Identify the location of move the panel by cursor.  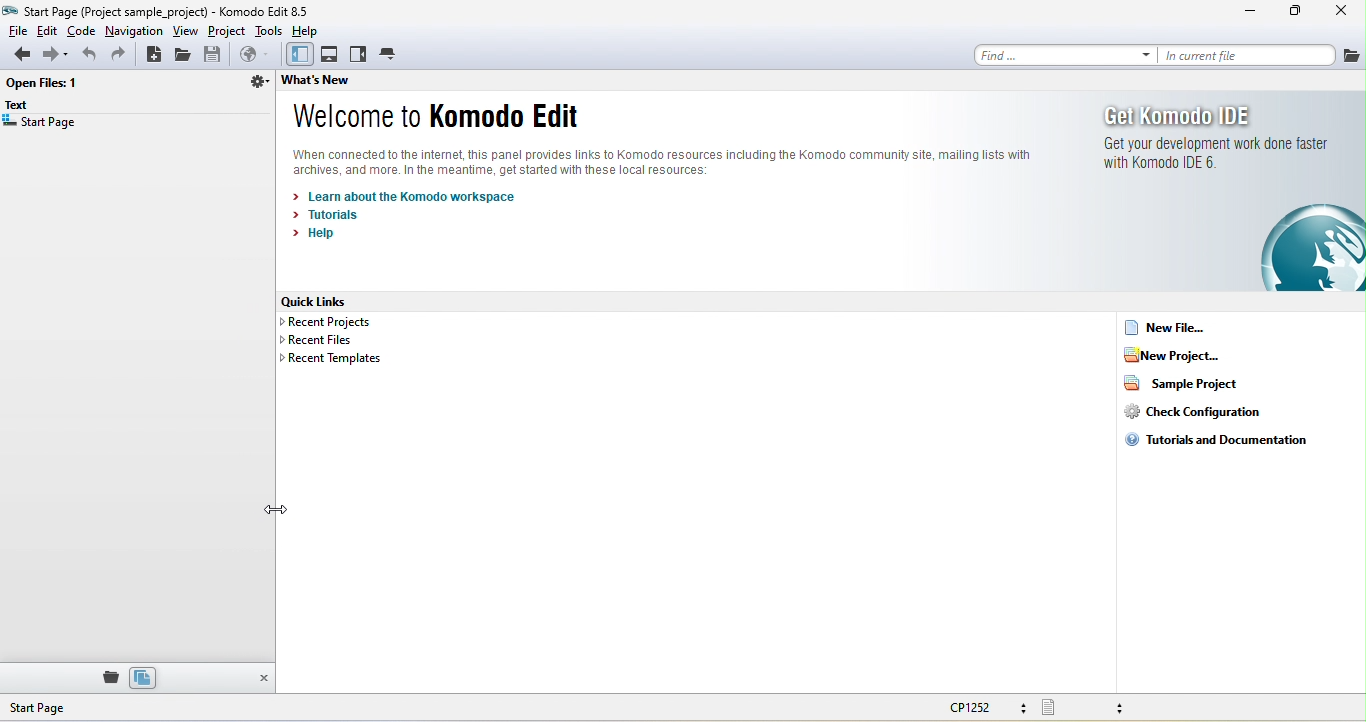
(285, 508).